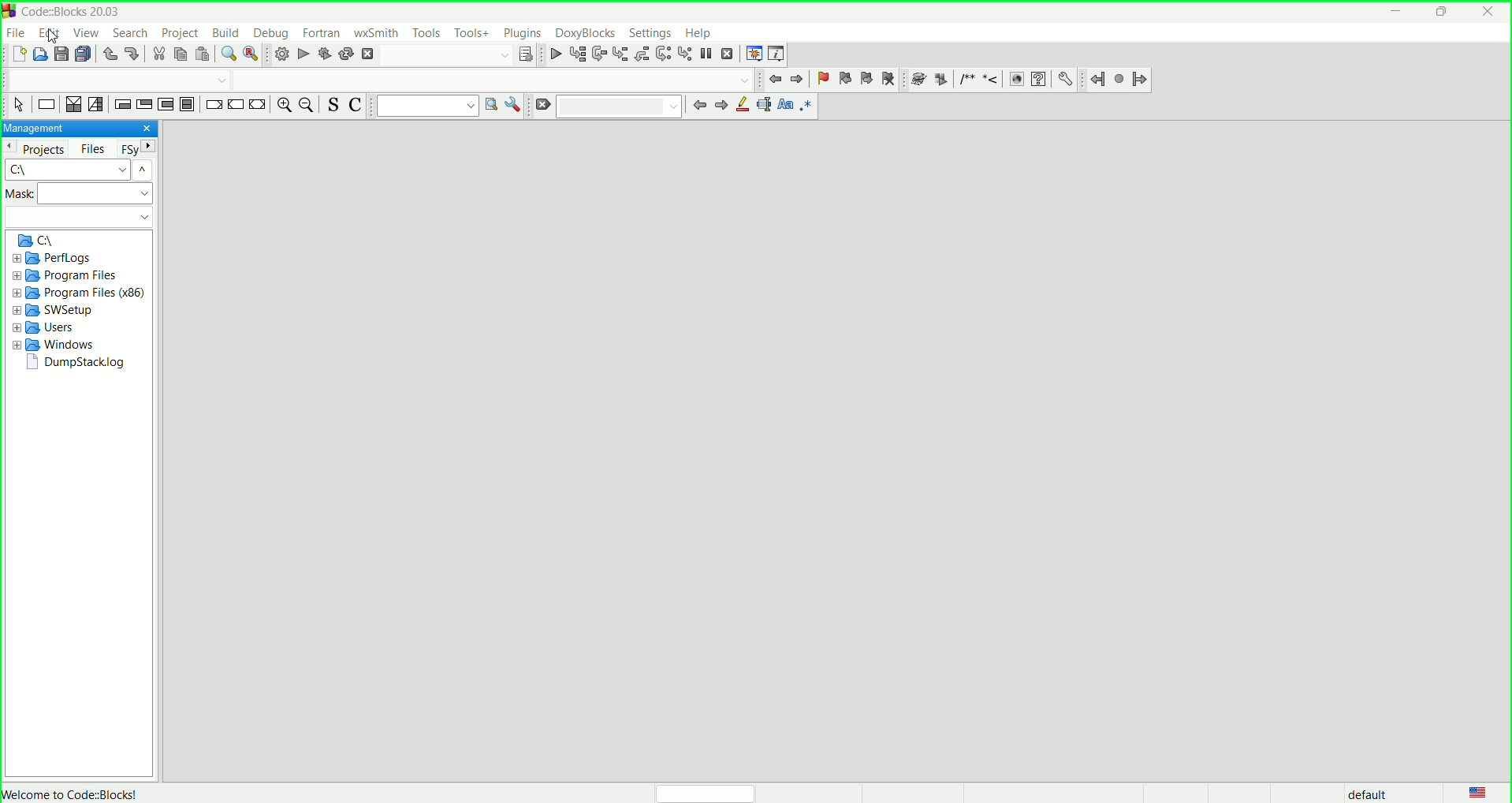  What do you see at coordinates (940, 80) in the screenshot?
I see `Extract` at bounding box center [940, 80].